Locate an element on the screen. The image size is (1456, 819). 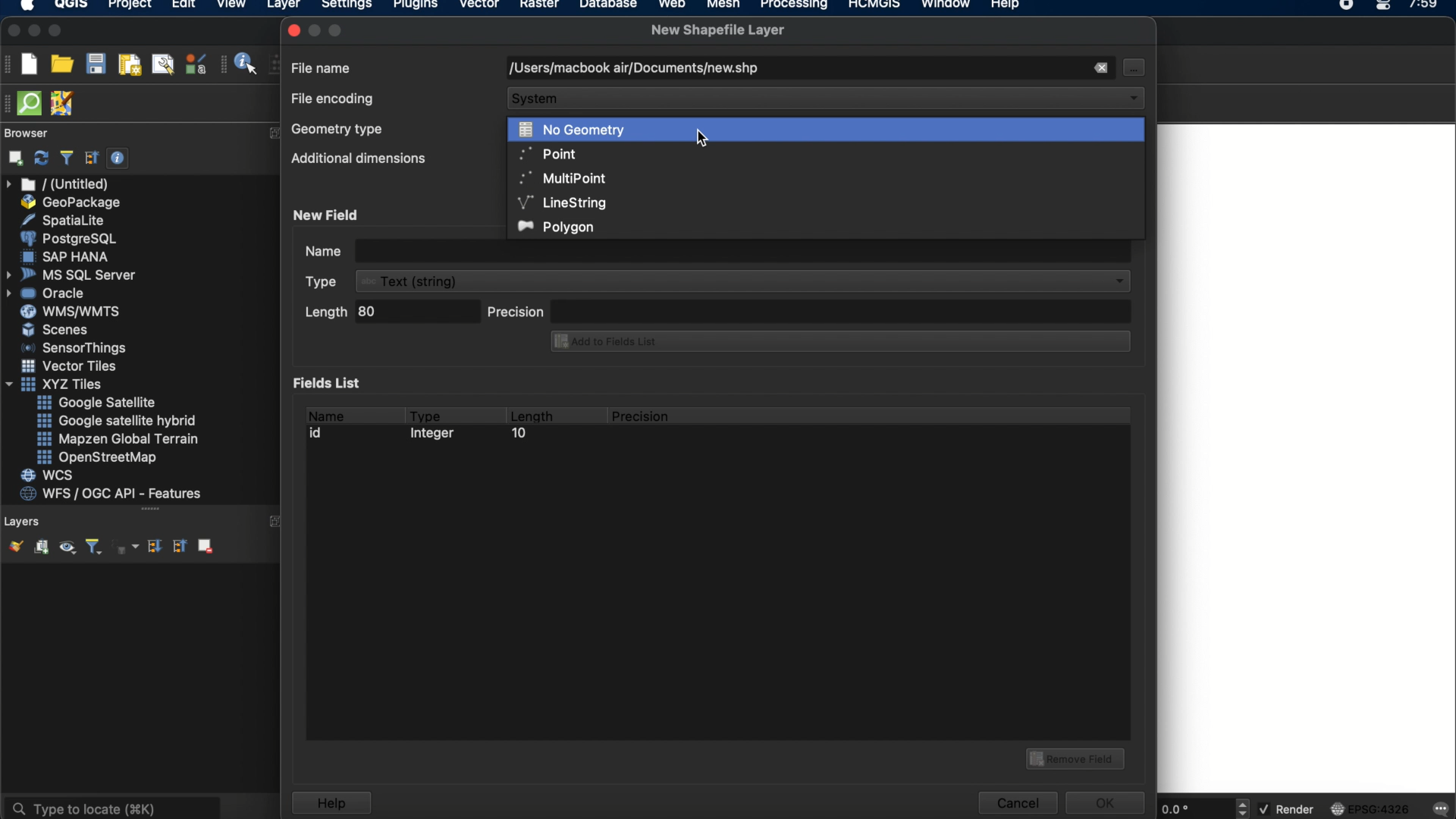
open the layer is located at coordinates (12, 546).